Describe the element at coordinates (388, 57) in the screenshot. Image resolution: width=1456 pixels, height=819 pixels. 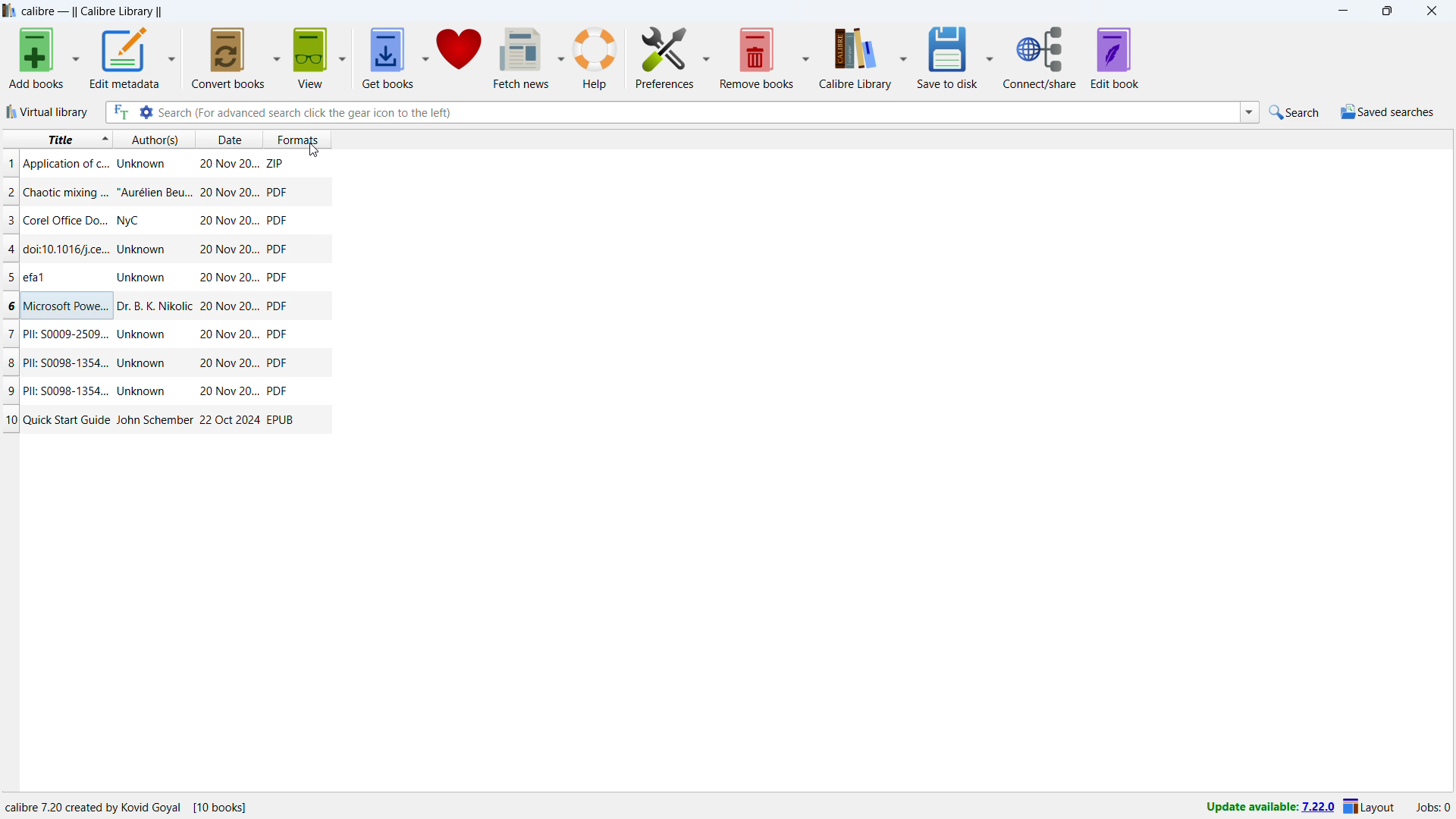
I see `get books` at that location.